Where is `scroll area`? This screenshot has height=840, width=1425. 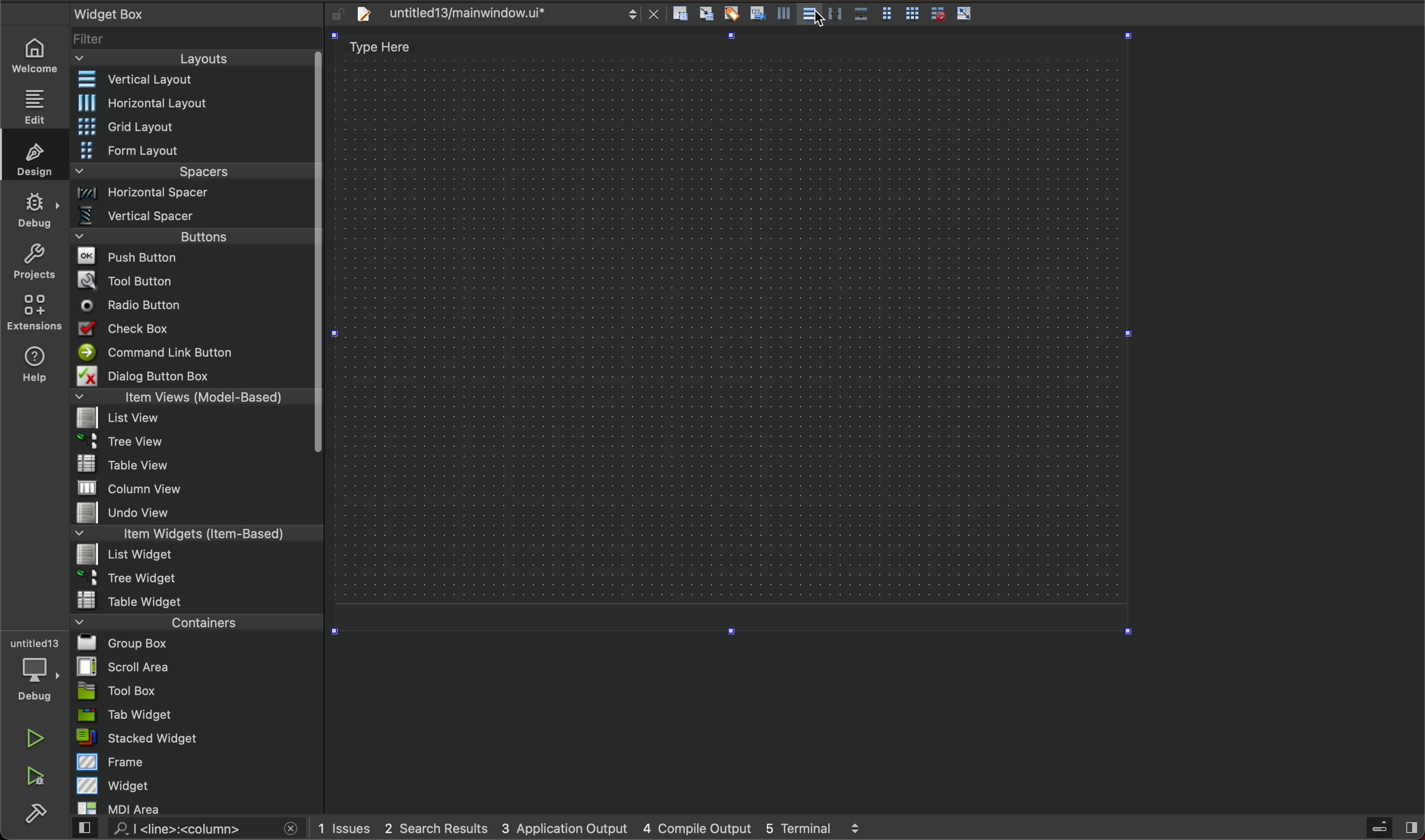
scroll area is located at coordinates (195, 666).